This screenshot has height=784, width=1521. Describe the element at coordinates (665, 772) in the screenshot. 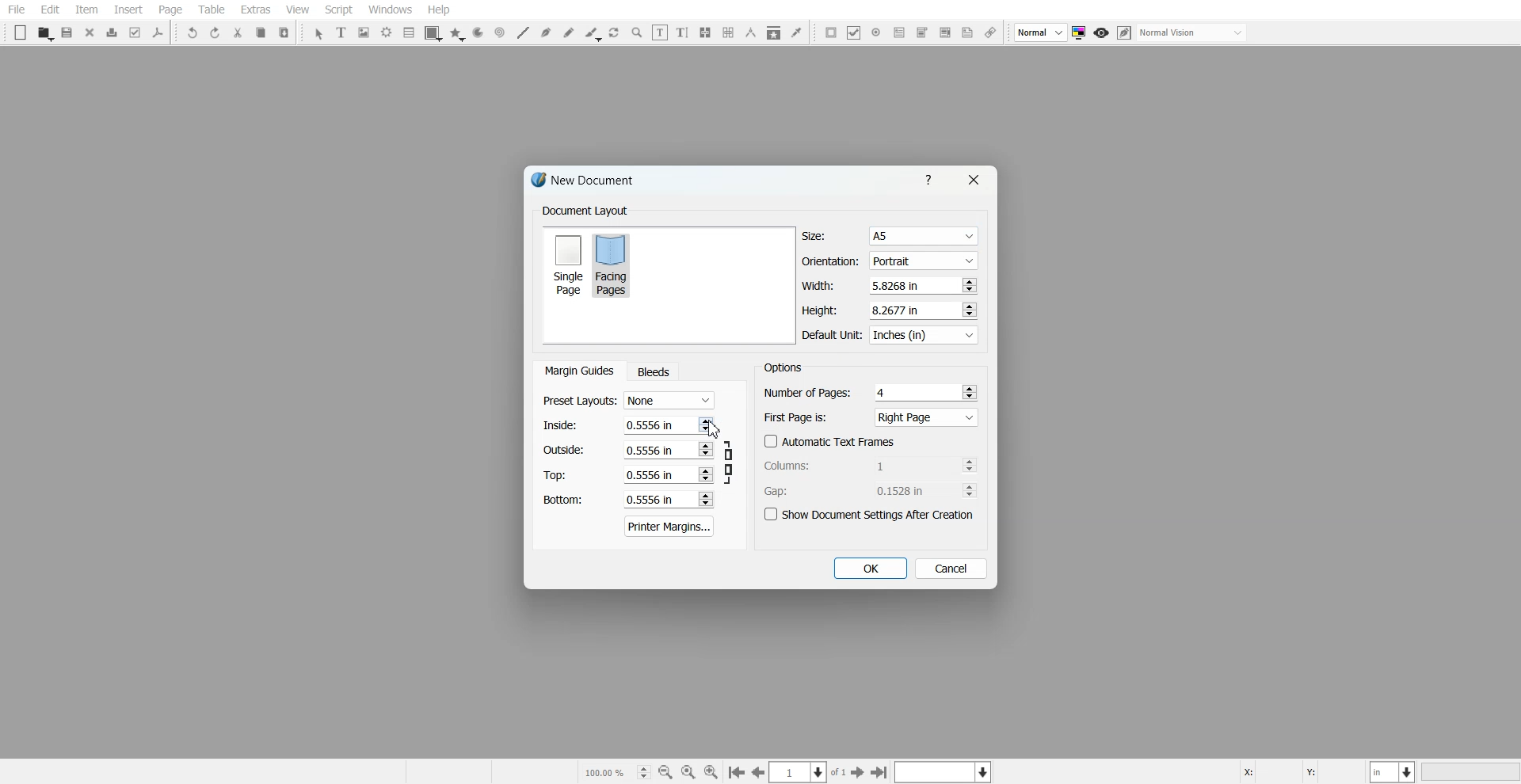

I see `Zoom Out` at that location.